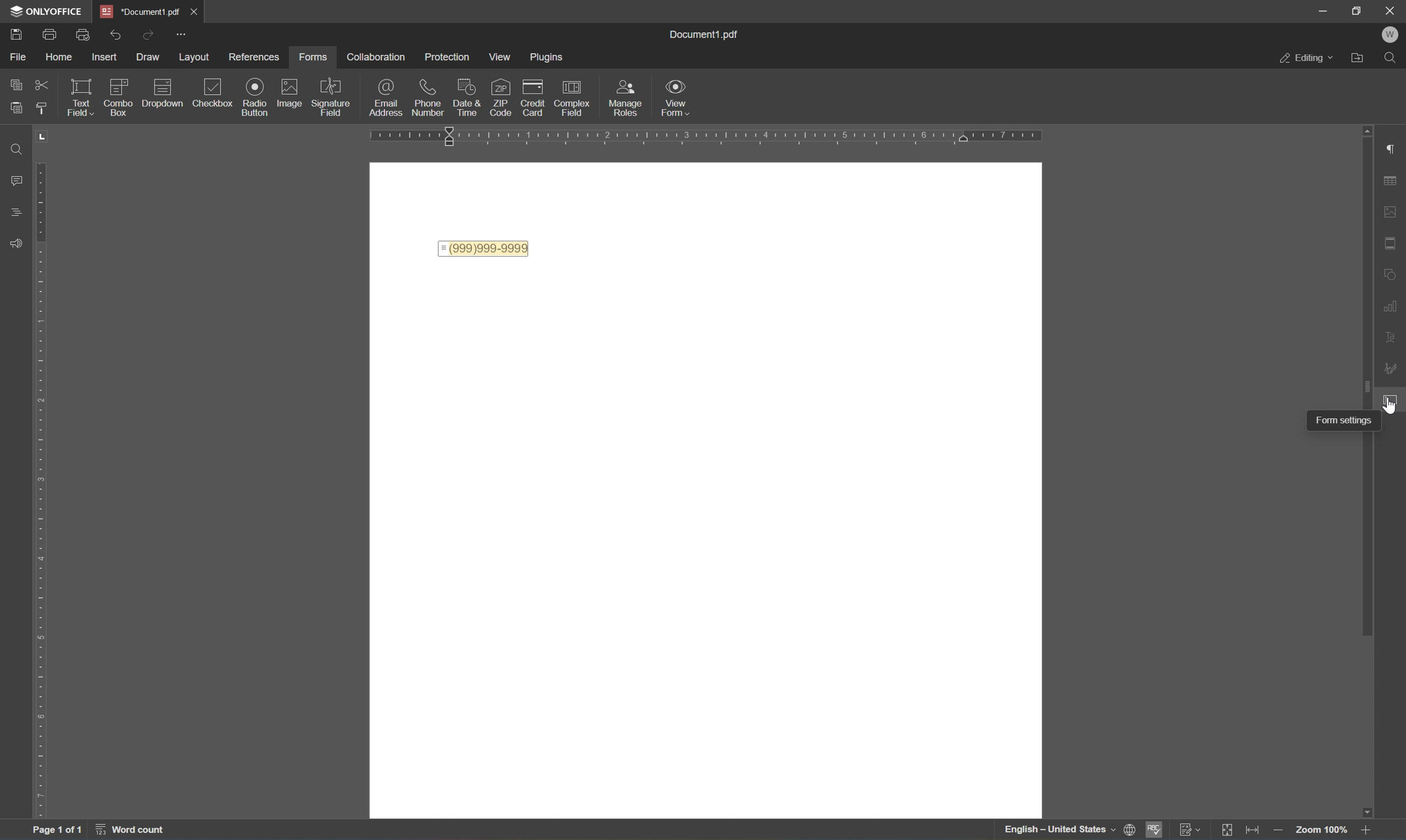  I want to click on icon, so click(470, 92).